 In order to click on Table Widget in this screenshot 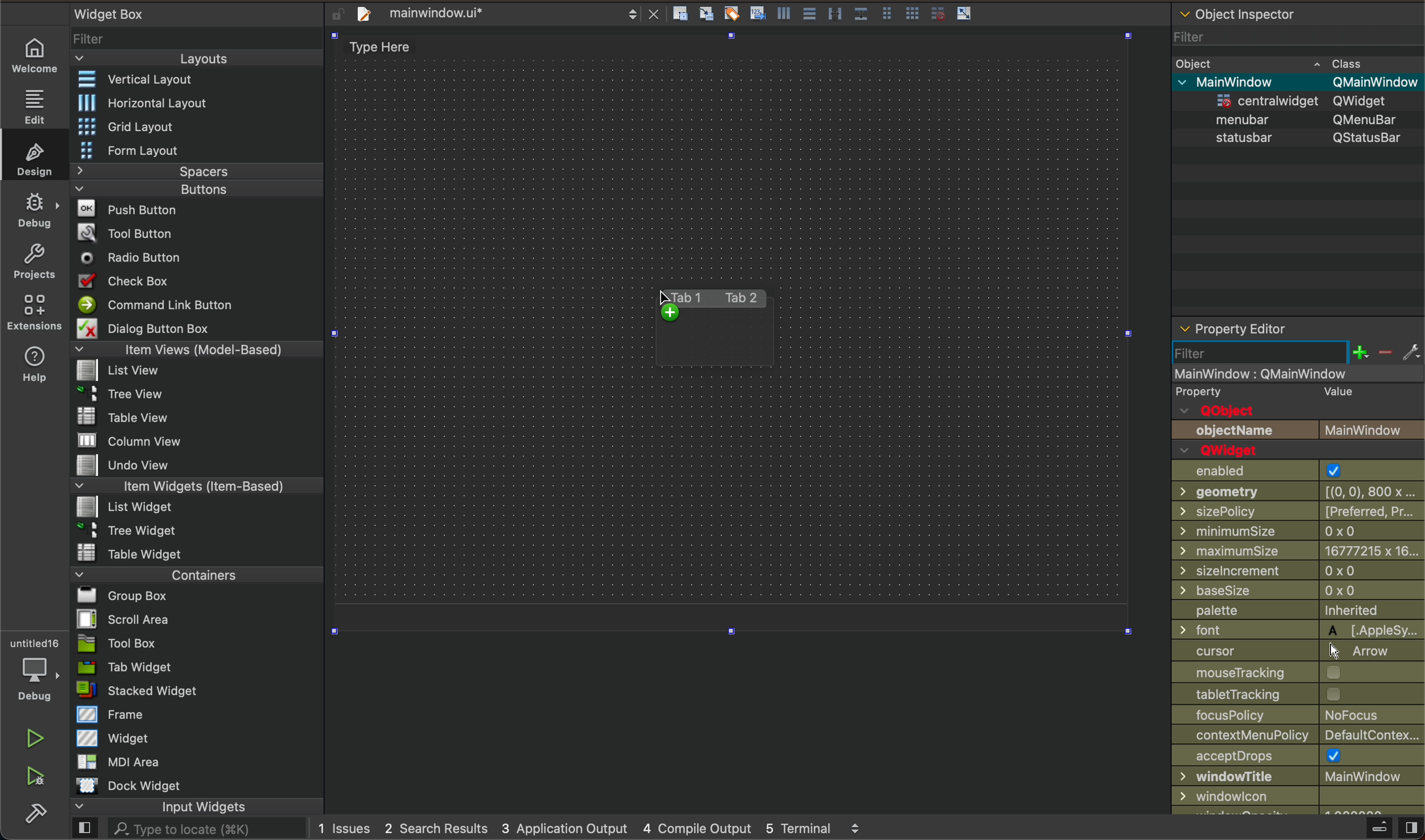, I will do `click(123, 552)`.